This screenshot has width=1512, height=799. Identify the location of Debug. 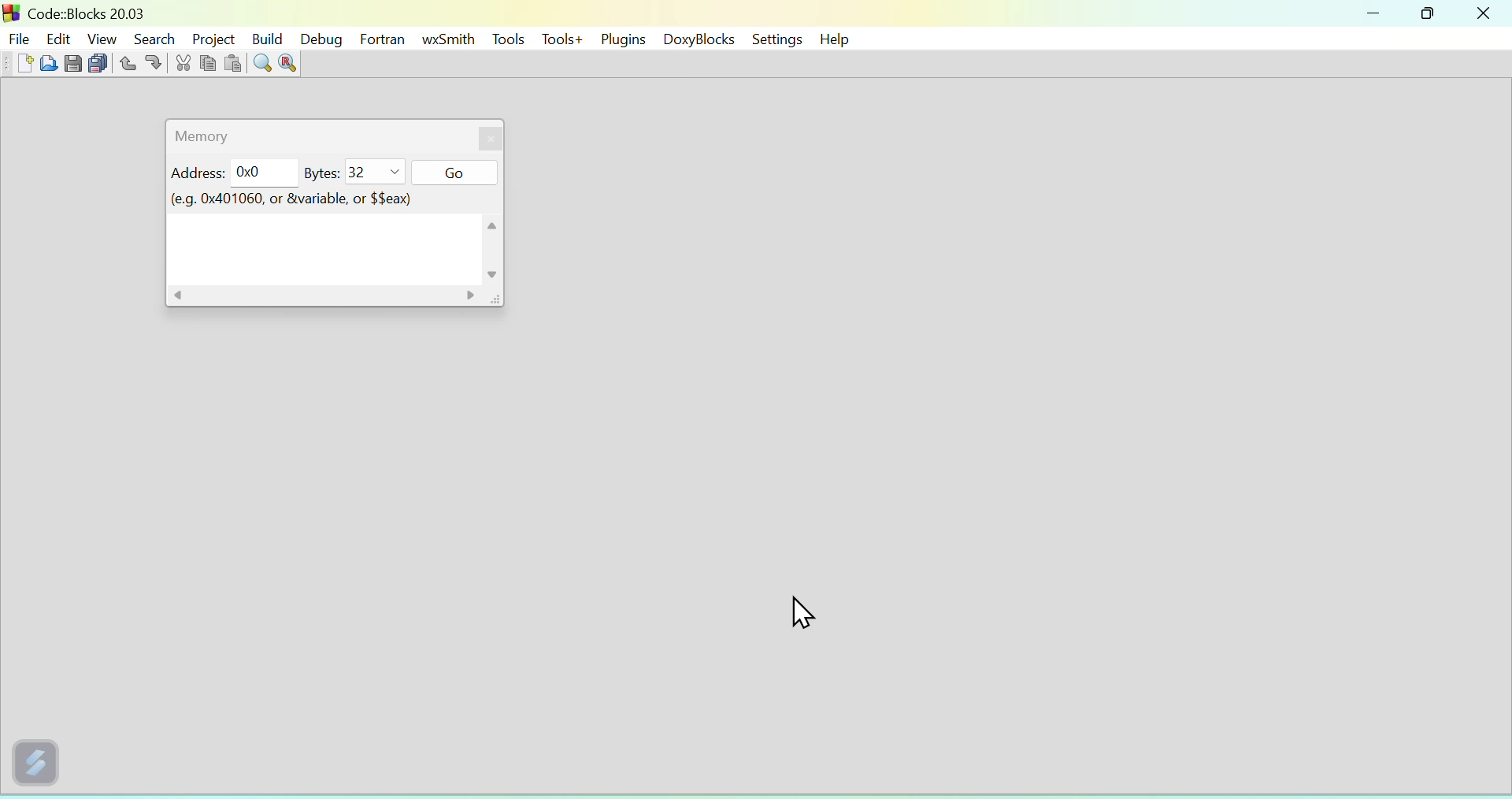
(321, 39).